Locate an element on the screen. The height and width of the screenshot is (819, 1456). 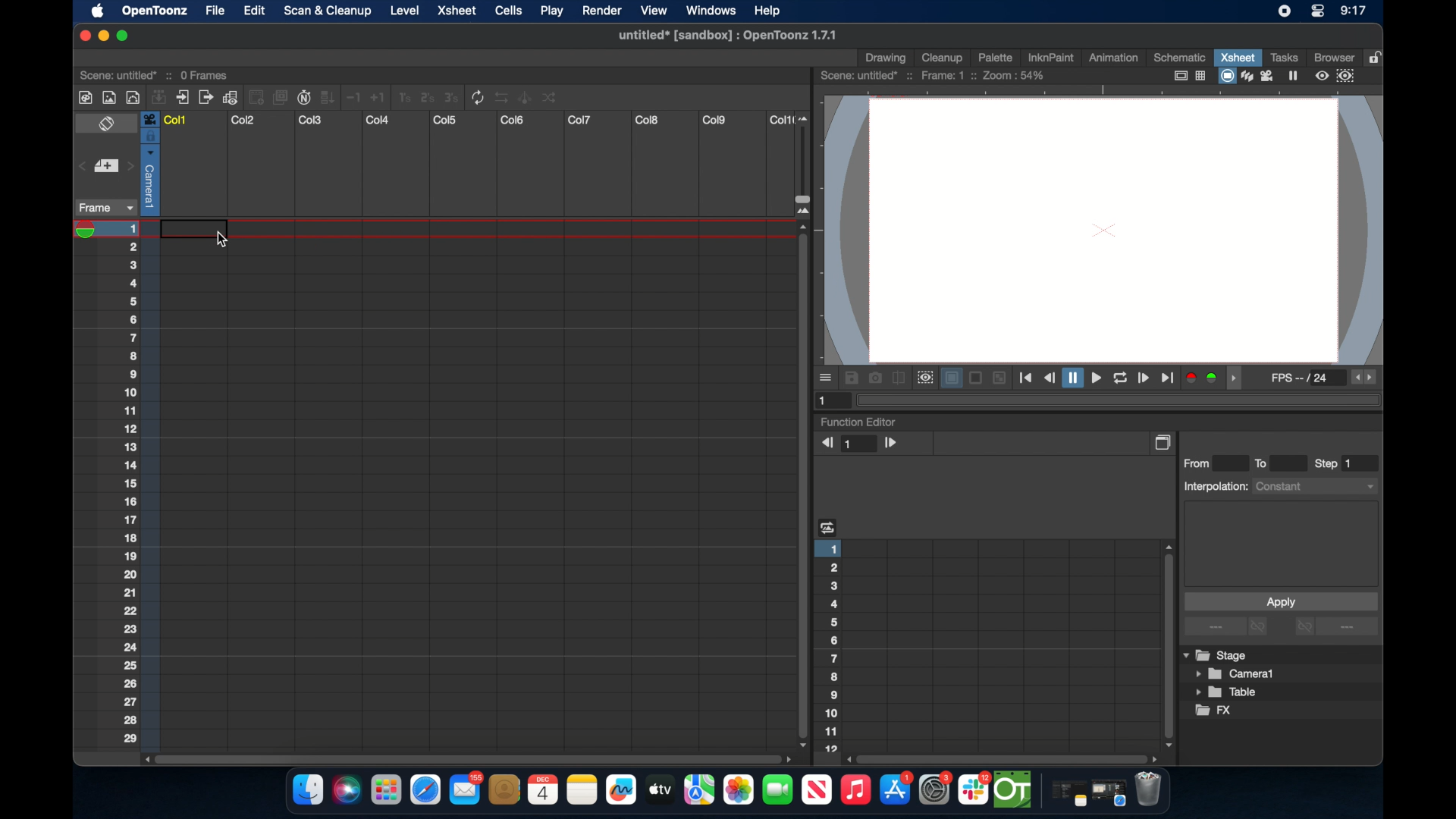
inknpaint is located at coordinates (1050, 57).